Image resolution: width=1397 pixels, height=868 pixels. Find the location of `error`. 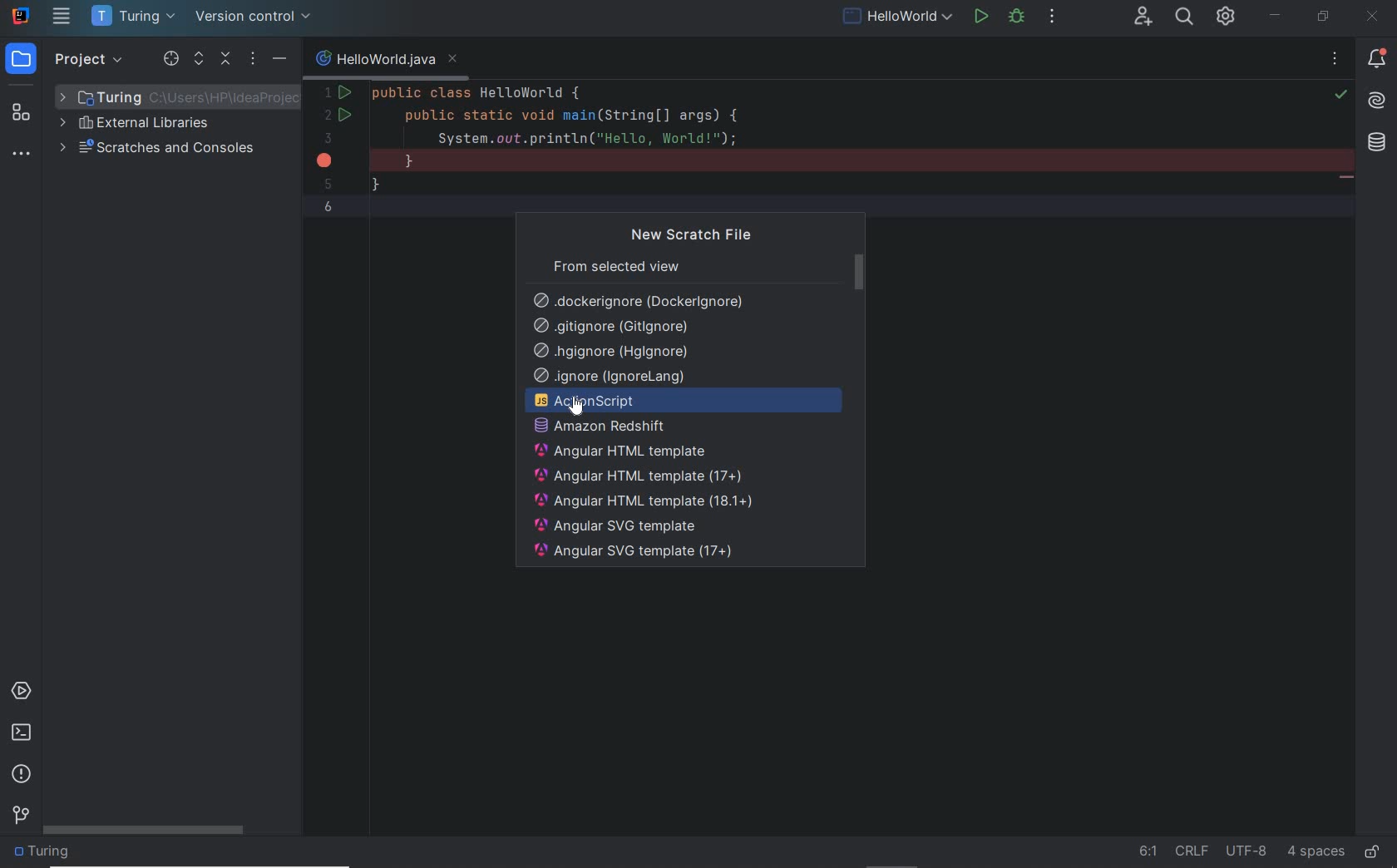

error is located at coordinates (326, 160).